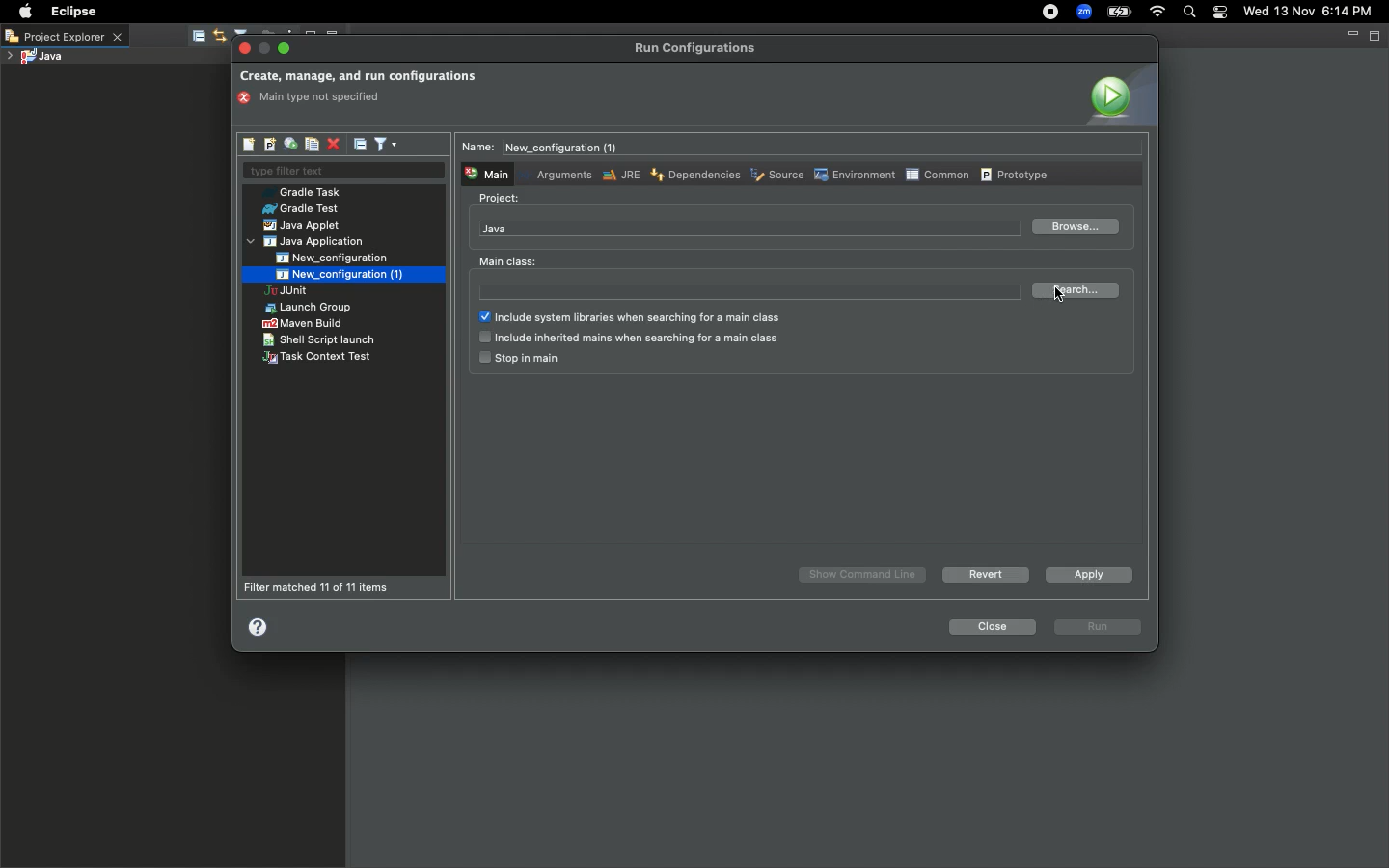  Describe the element at coordinates (1188, 14) in the screenshot. I see `Search` at that location.